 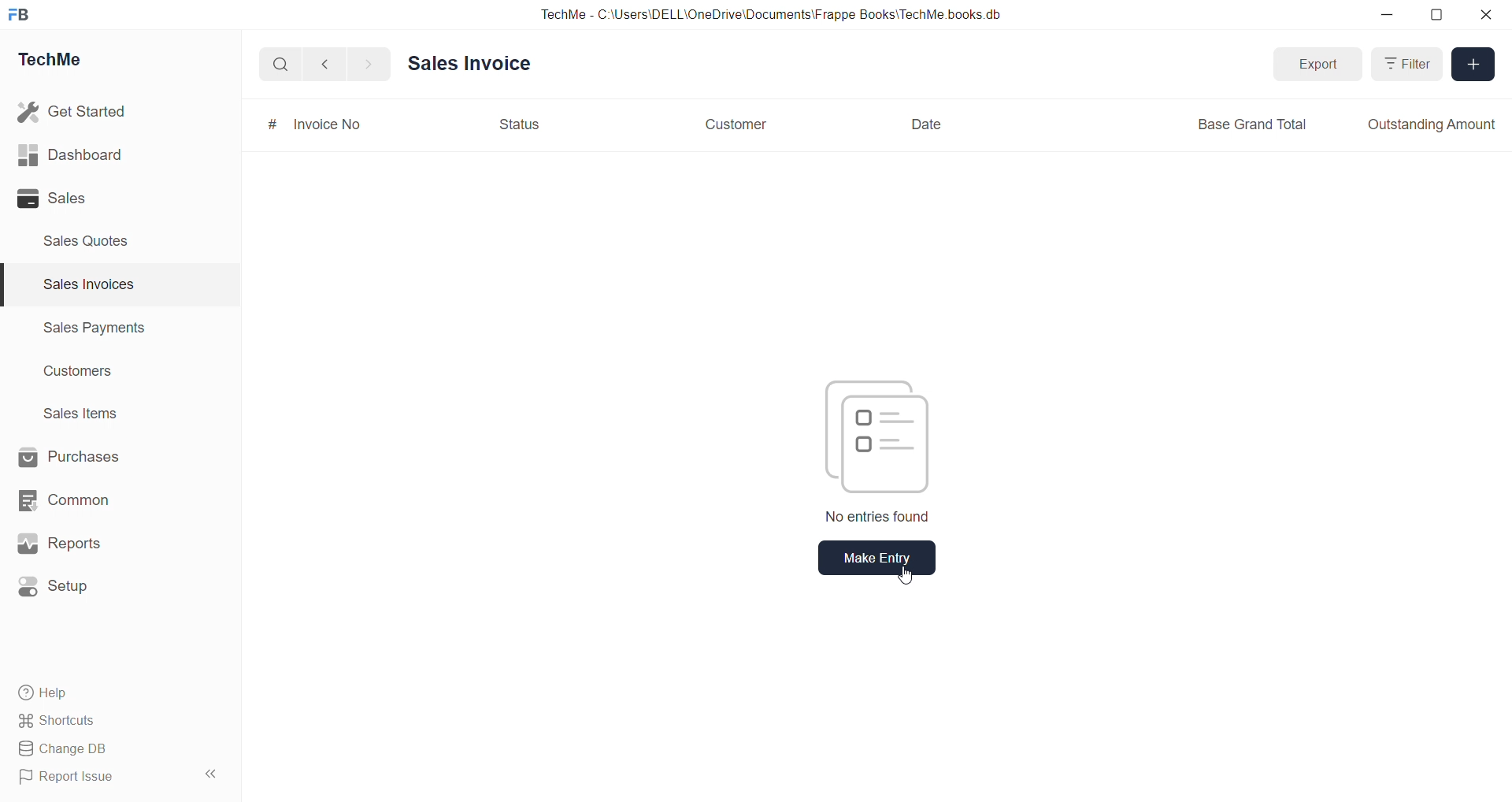 I want to click on make entry, so click(x=877, y=558).